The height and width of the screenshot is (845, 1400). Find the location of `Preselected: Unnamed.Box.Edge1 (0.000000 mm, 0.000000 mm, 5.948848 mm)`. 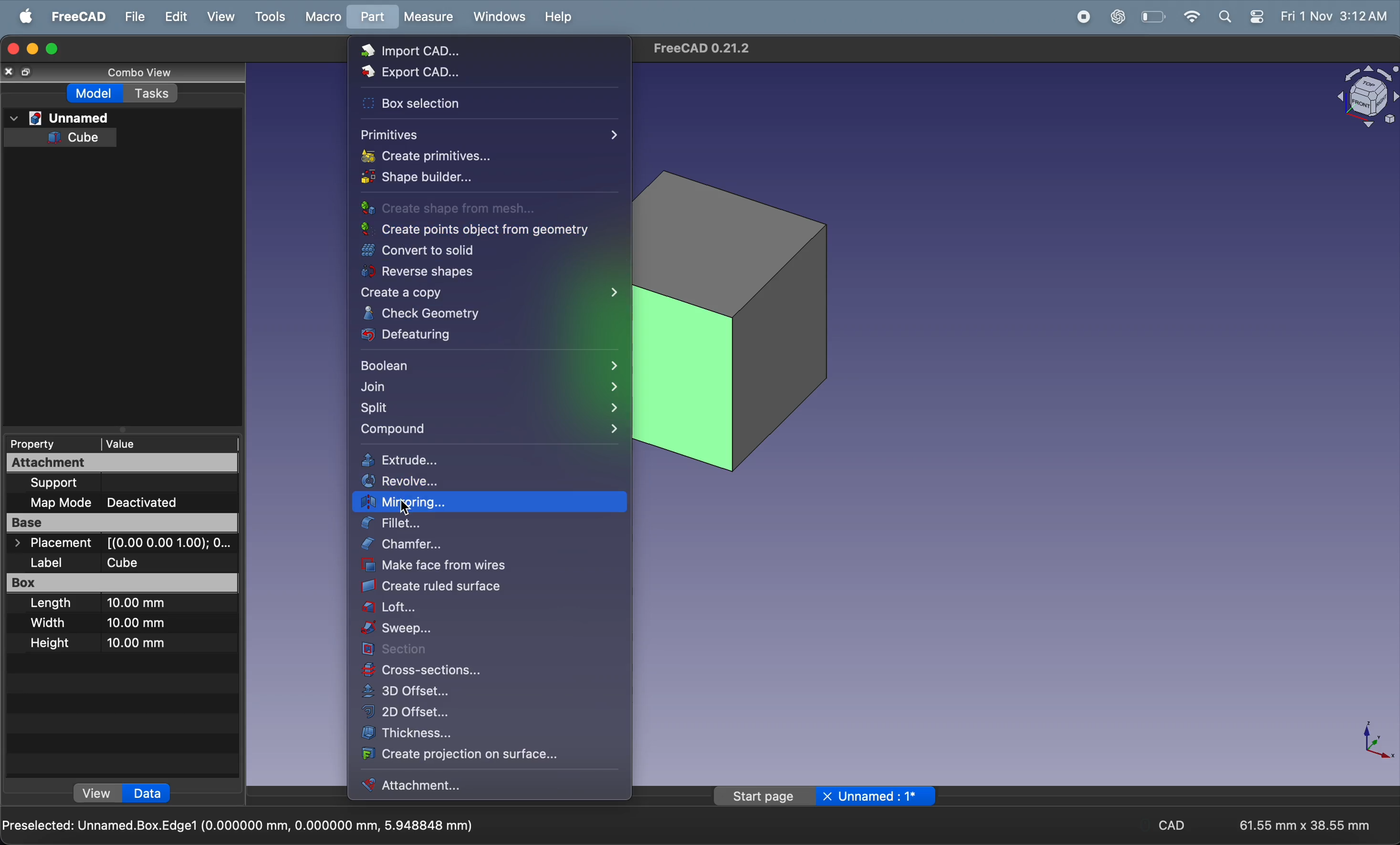

Preselected: Unnamed.Box.Edge1 (0.000000 mm, 0.000000 mm, 5.948848 mm) is located at coordinates (240, 824).